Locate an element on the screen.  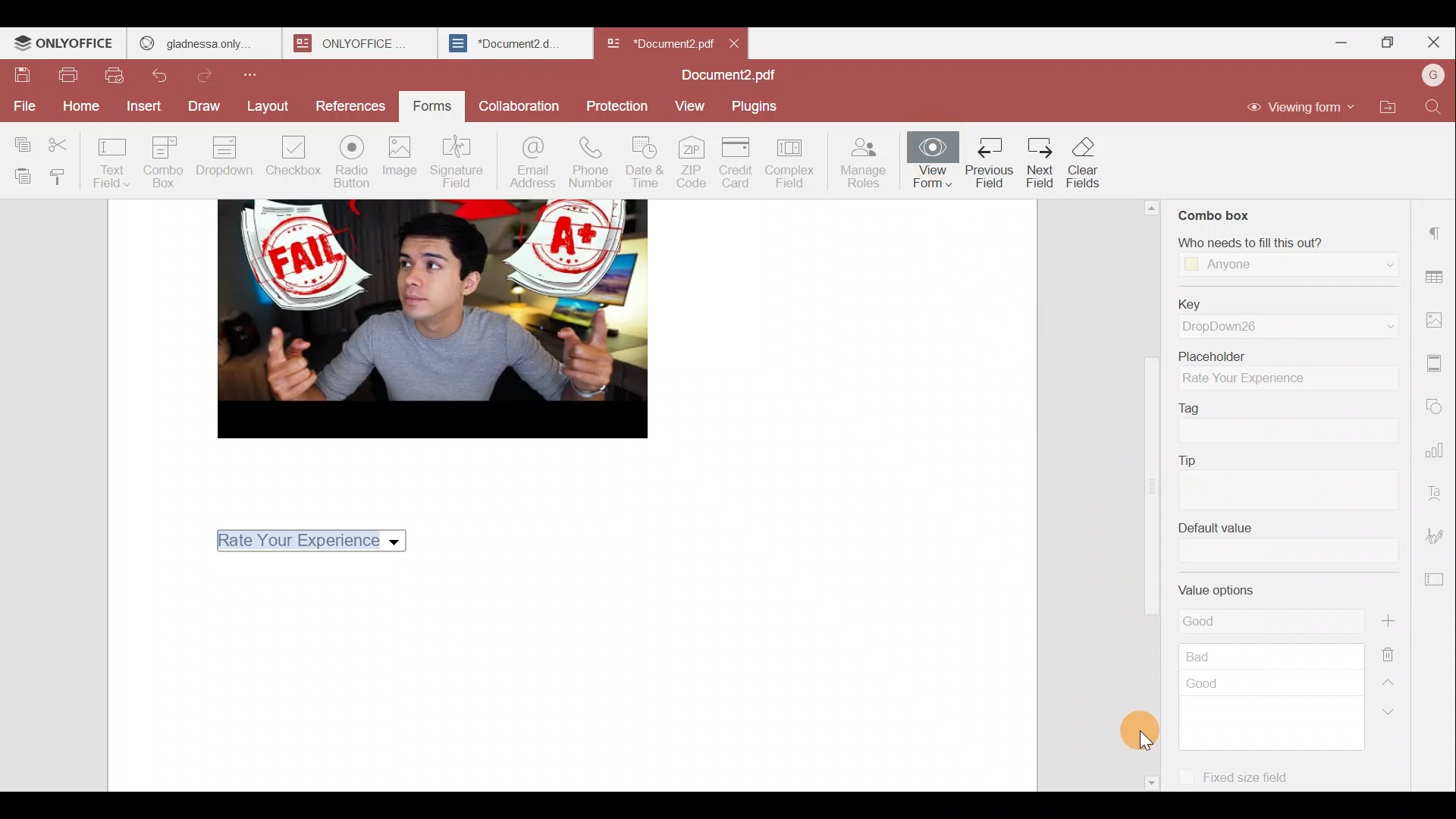
Signature field is located at coordinates (457, 161).